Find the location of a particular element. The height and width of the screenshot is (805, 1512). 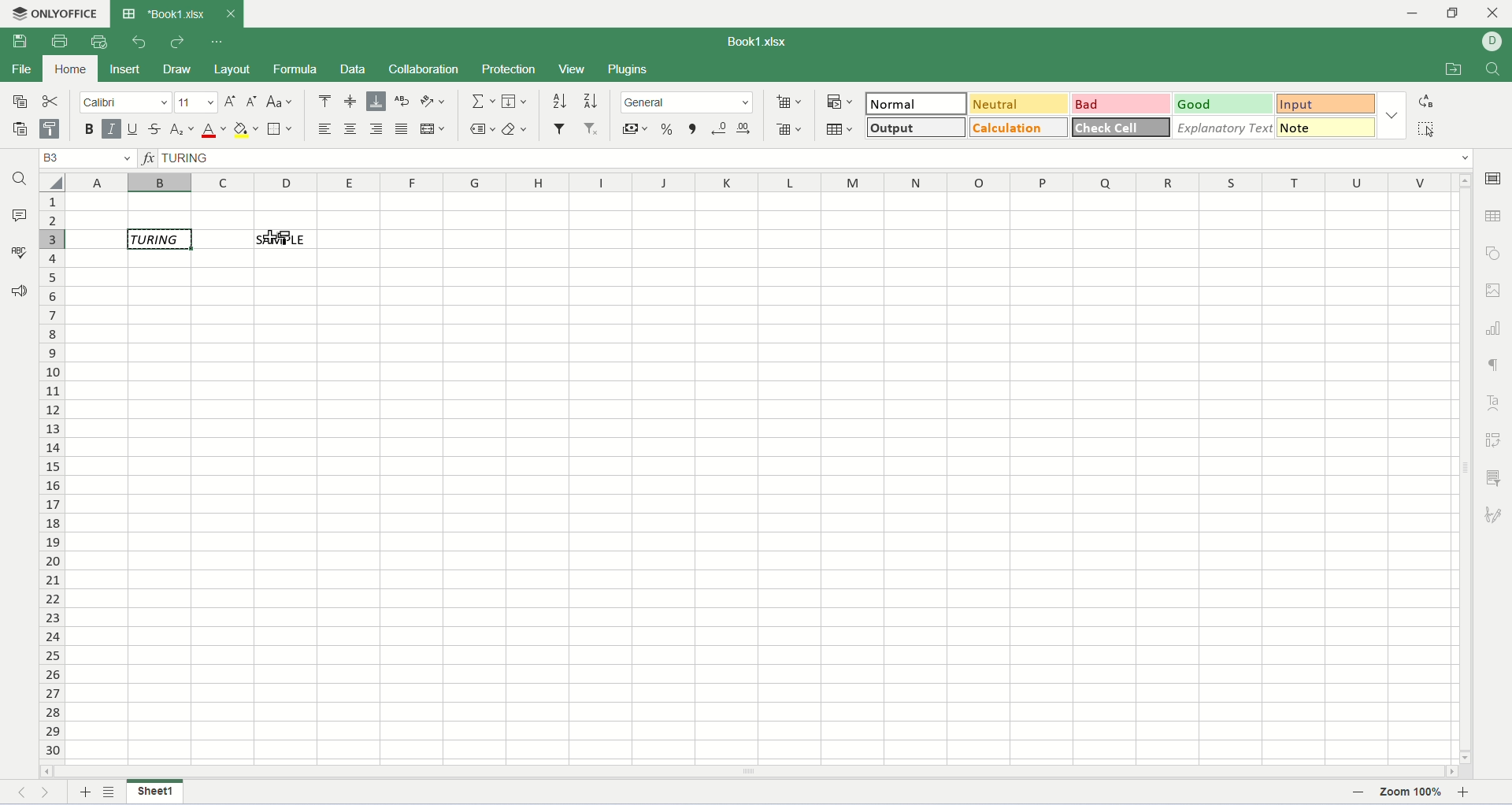

border is located at coordinates (283, 130).